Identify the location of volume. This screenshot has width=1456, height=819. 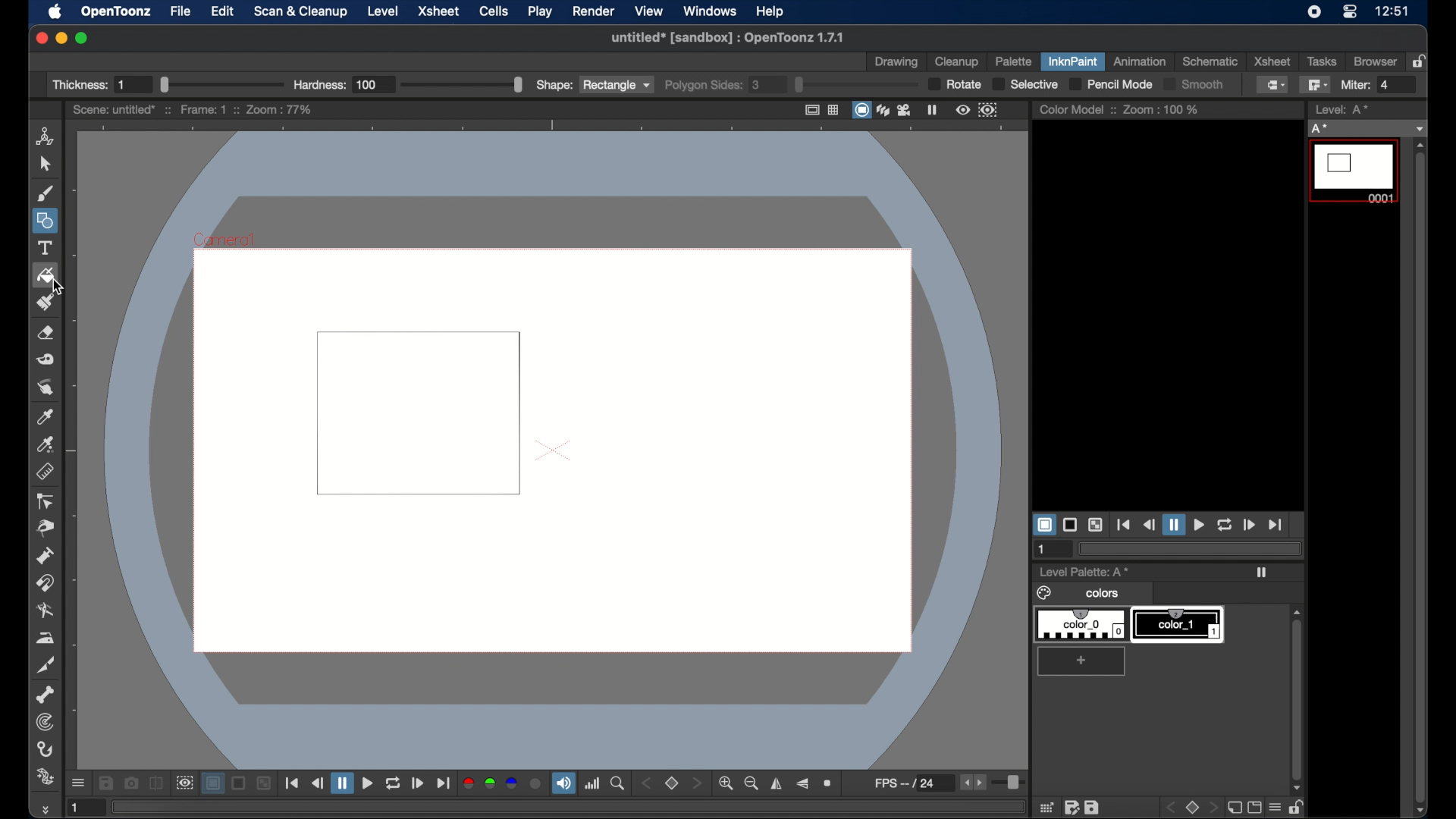
(563, 783).